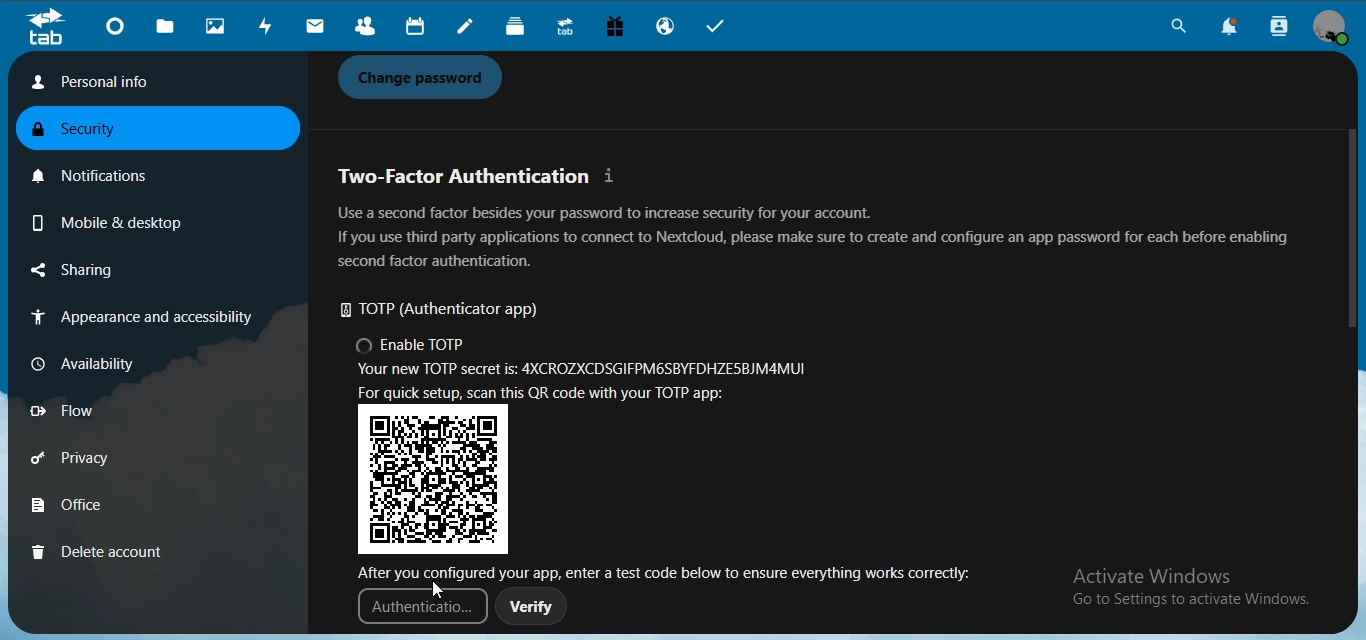 The width and height of the screenshot is (1366, 640). What do you see at coordinates (586, 372) in the screenshot?
I see `TOTP secret` at bounding box center [586, 372].